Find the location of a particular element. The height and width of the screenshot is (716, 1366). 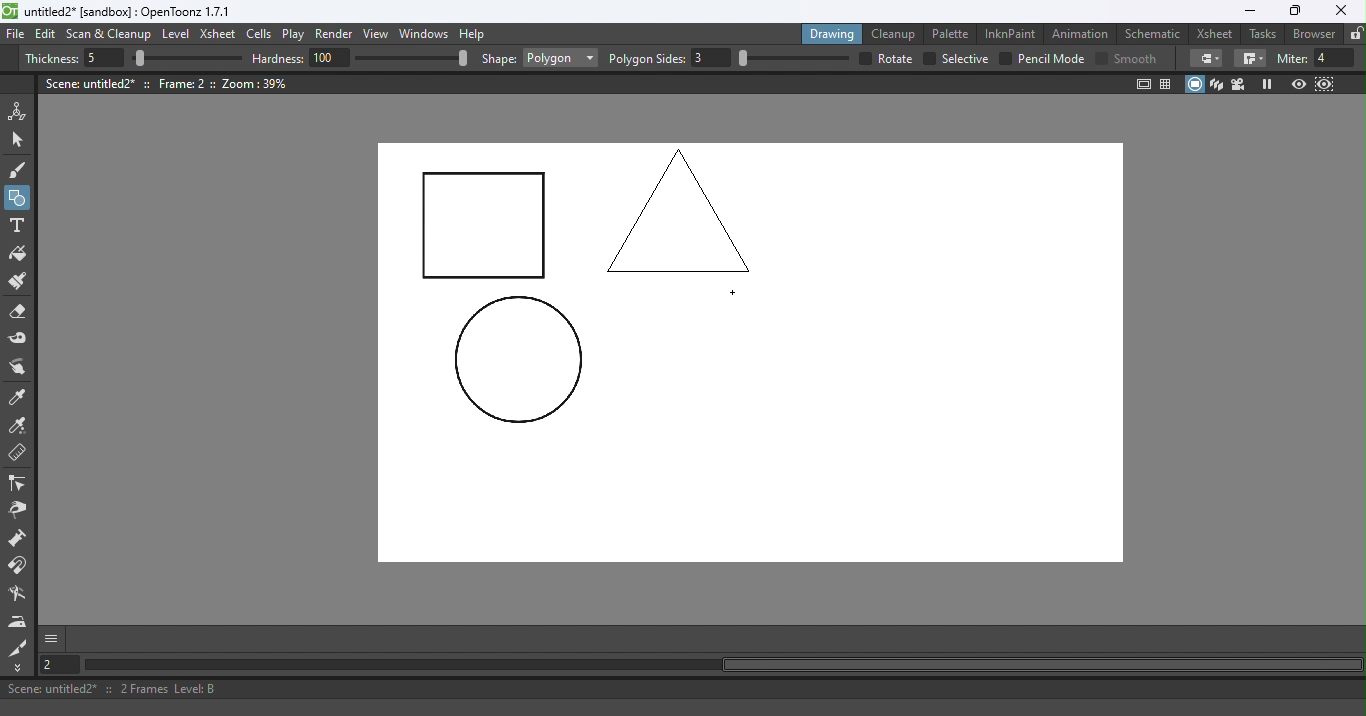

Animation is located at coordinates (1083, 32).